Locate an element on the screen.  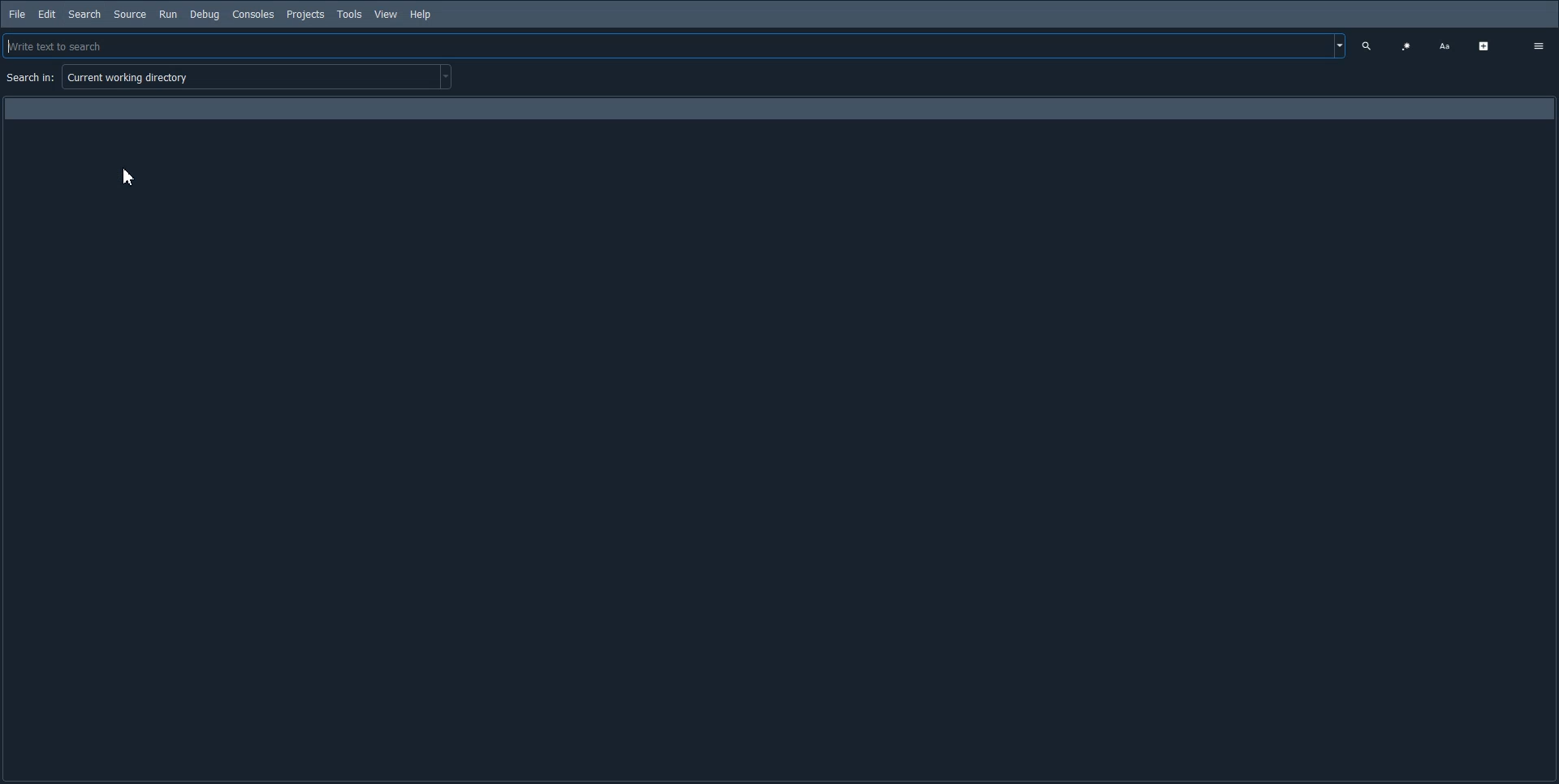
Edit is located at coordinates (46, 14).